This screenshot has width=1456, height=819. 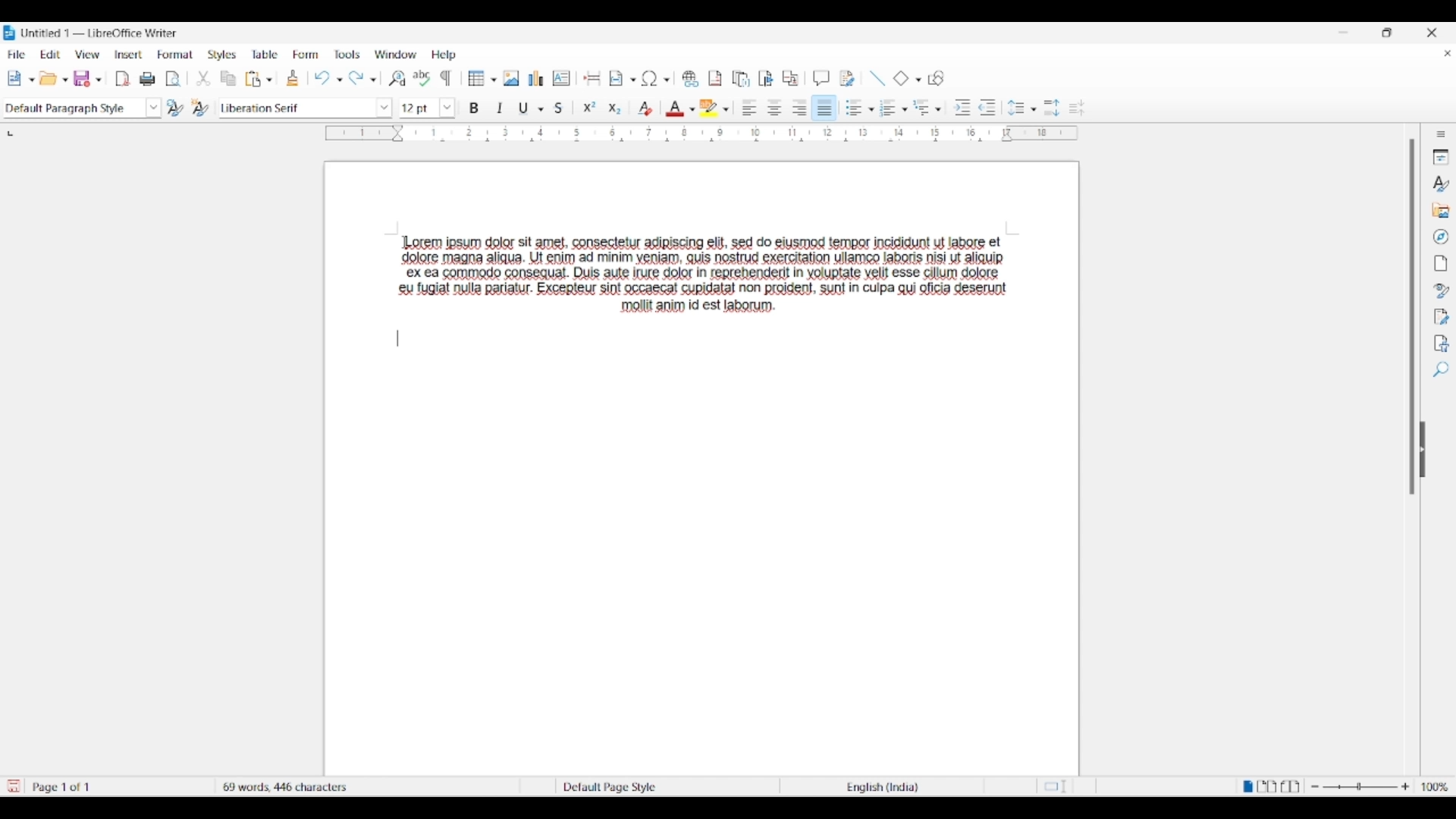 I want to click on Selected line spacing, so click(x=1015, y=108).